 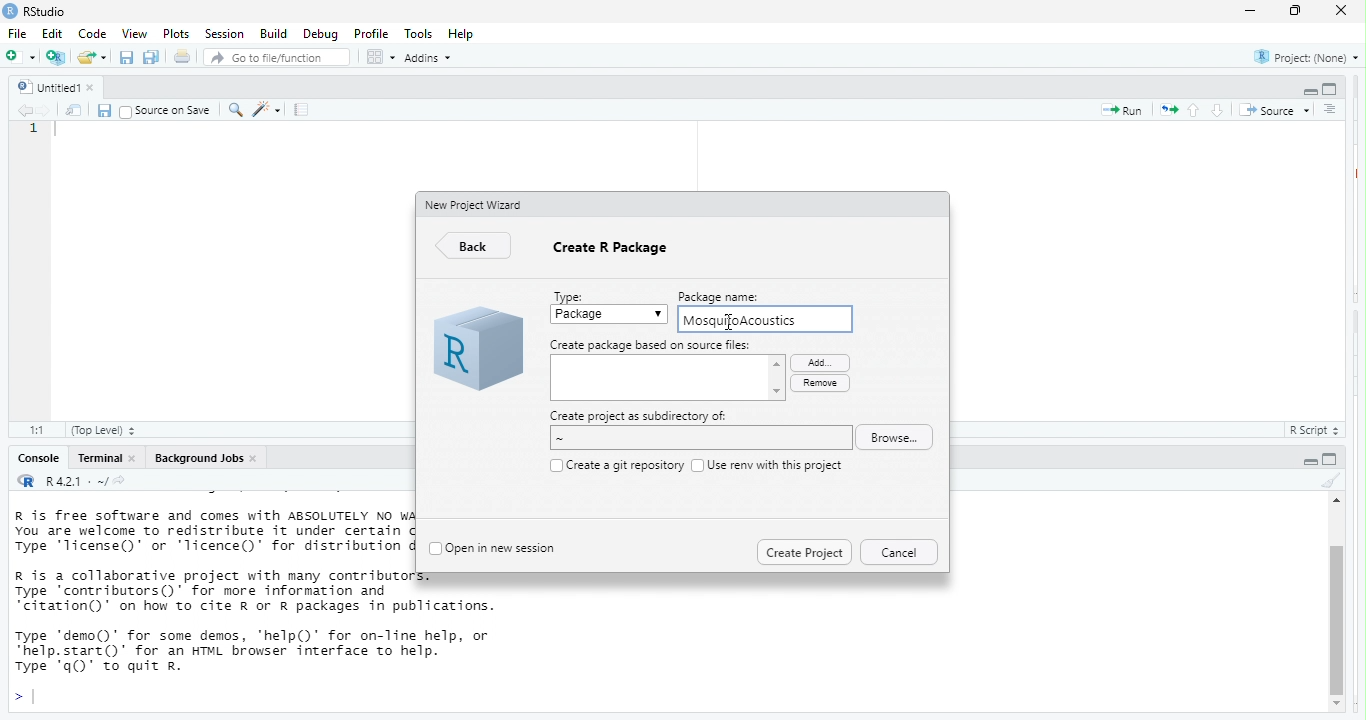 I want to click on remove, so click(x=819, y=383).